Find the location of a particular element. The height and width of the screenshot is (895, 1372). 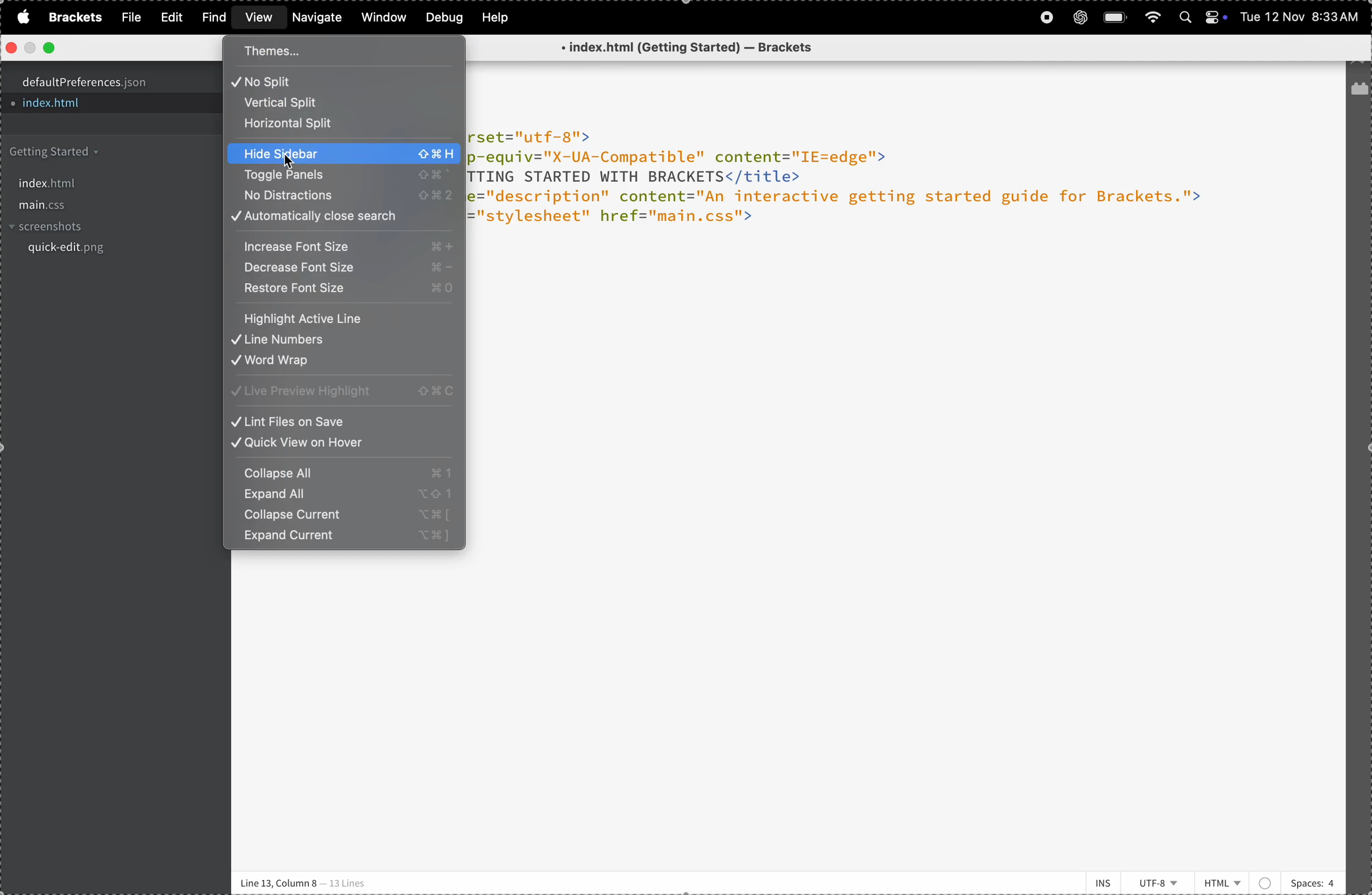

highlight active line is located at coordinates (344, 317).